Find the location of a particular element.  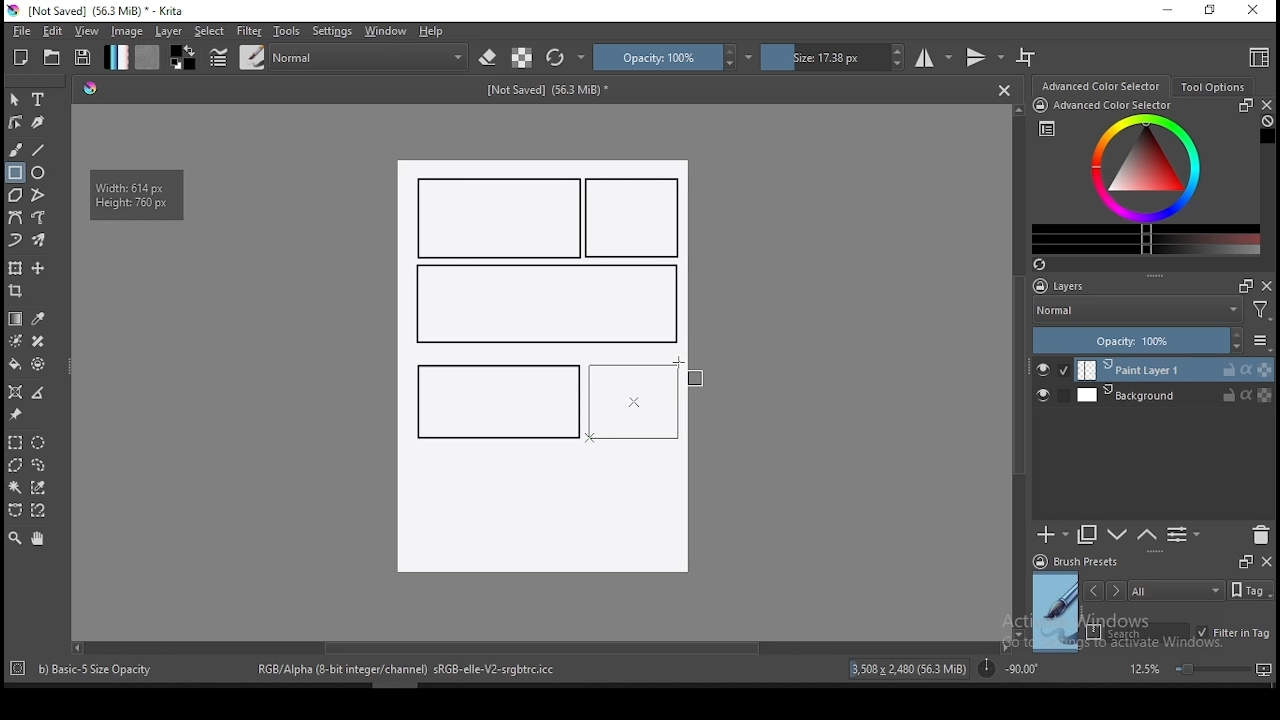

line tool is located at coordinates (39, 150).